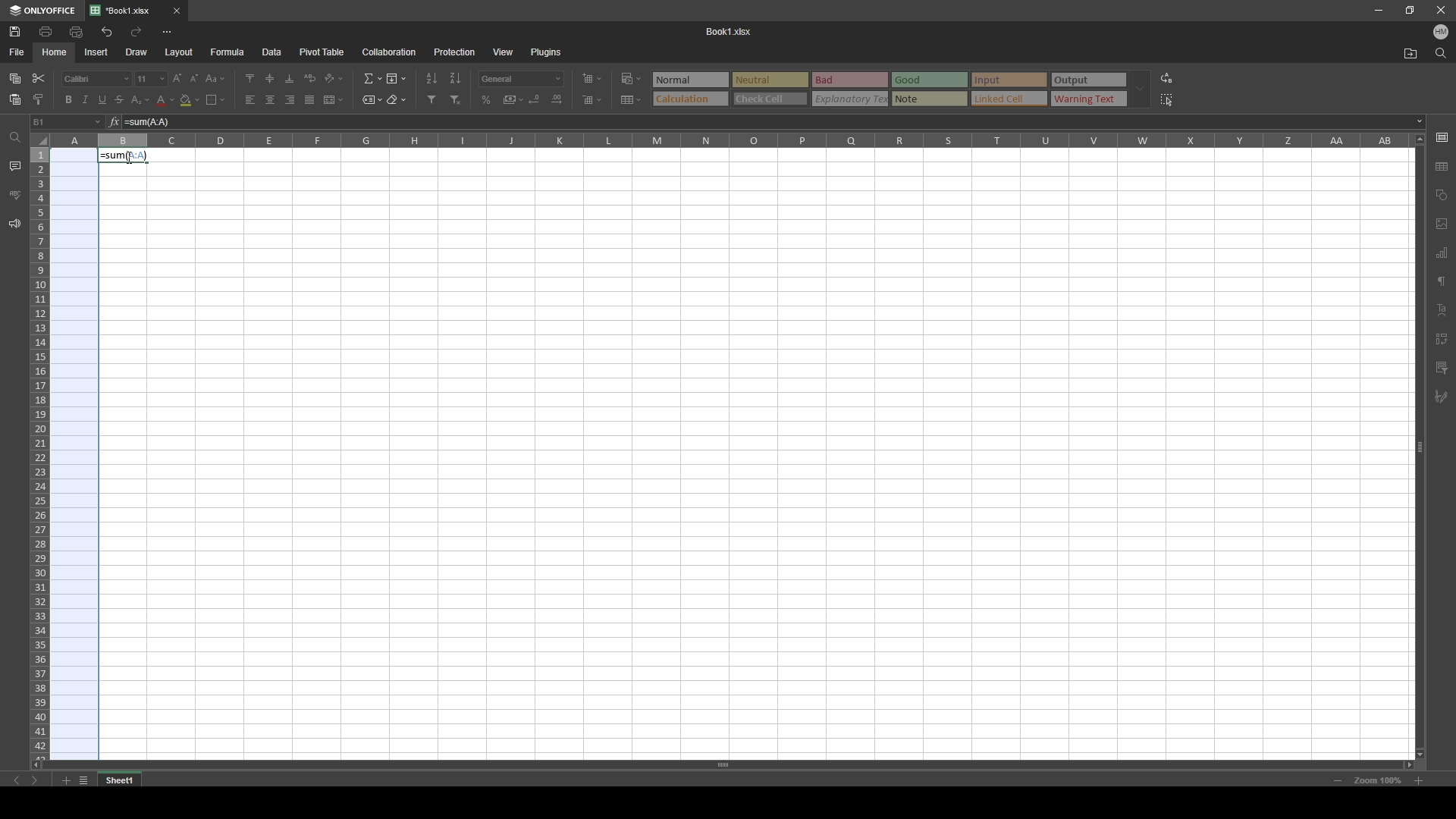  Describe the element at coordinates (97, 79) in the screenshot. I see `font style` at that location.